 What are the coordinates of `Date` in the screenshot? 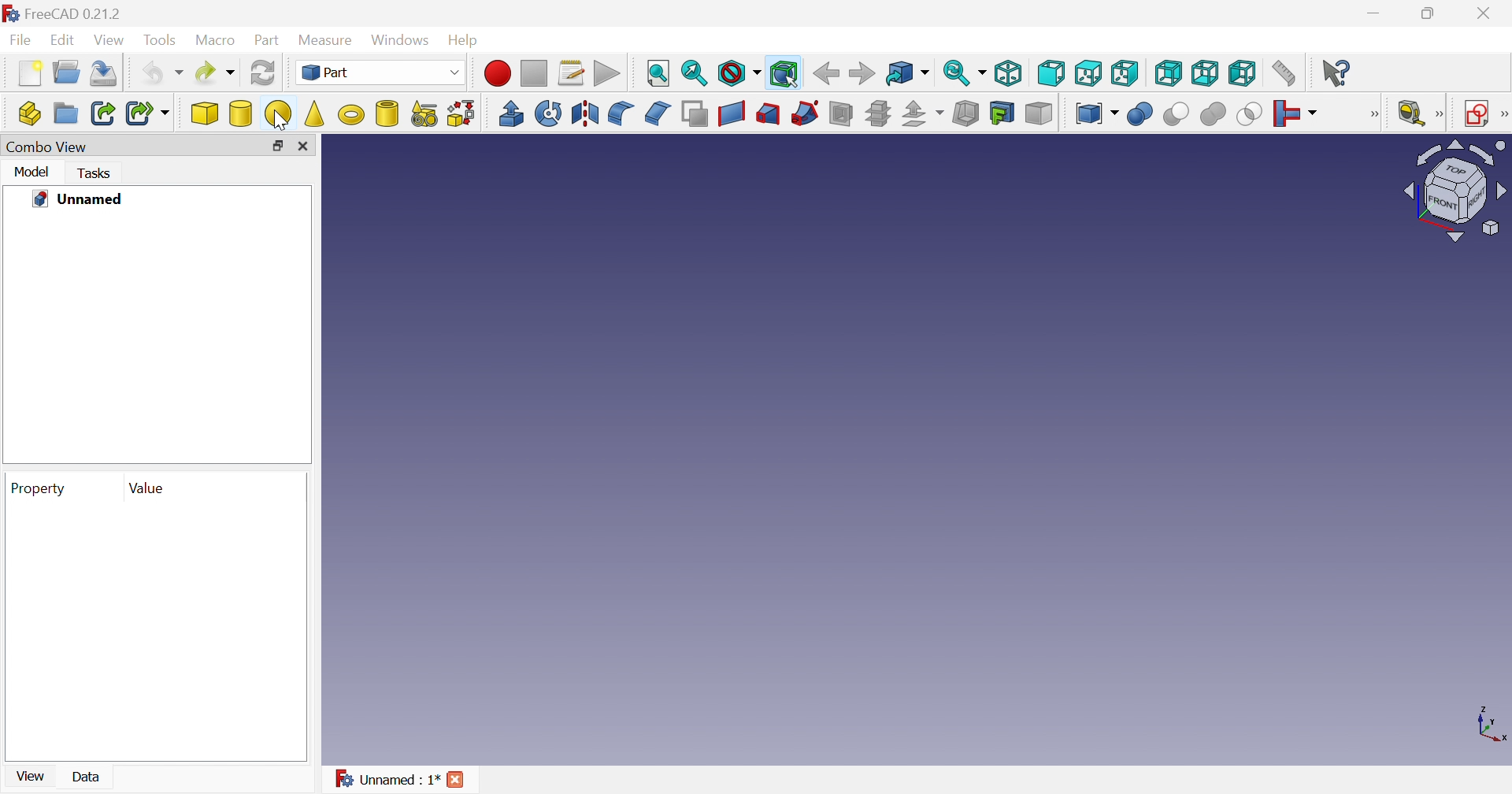 It's located at (93, 775).